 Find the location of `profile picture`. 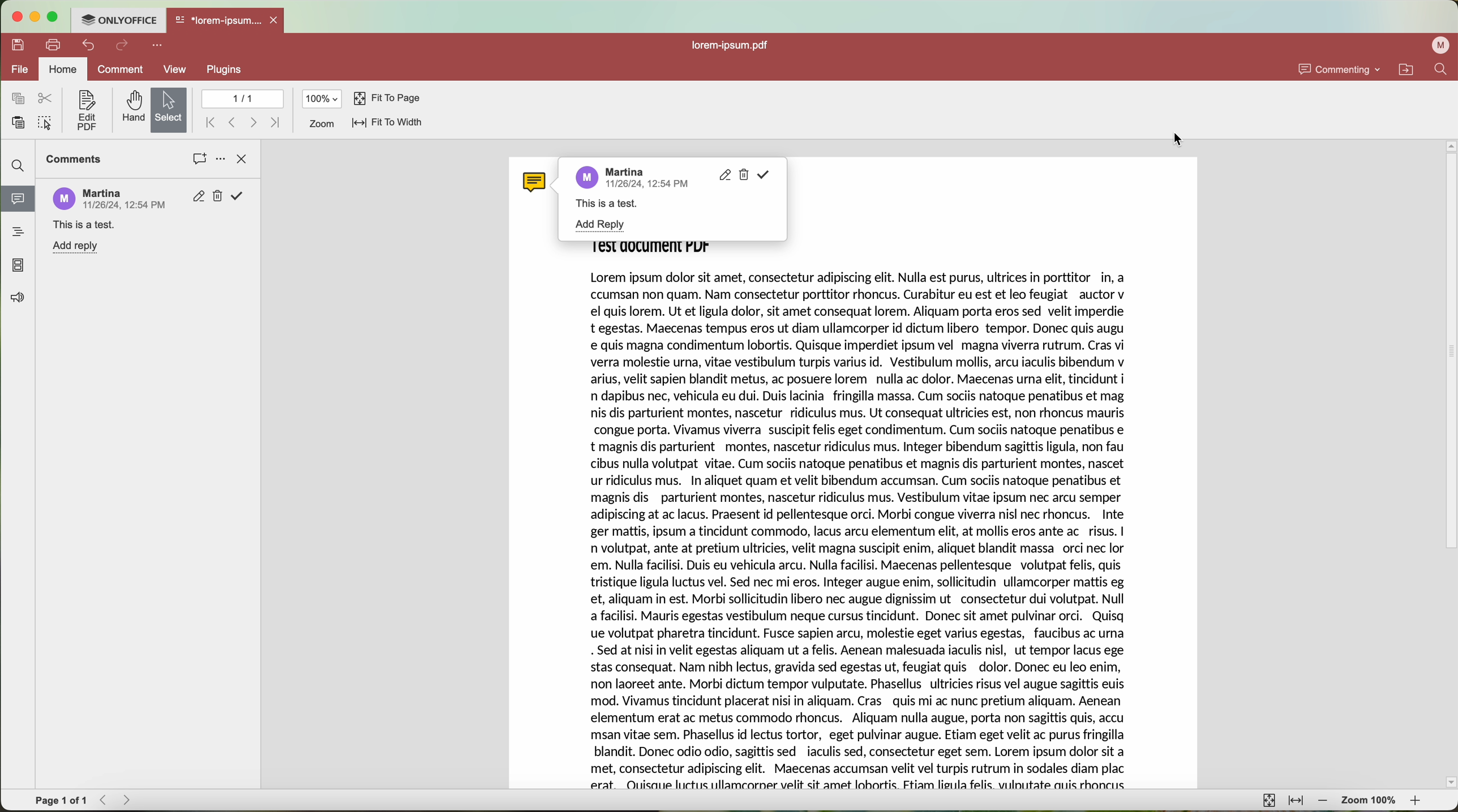

profile picture is located at coordinates (593, 181).